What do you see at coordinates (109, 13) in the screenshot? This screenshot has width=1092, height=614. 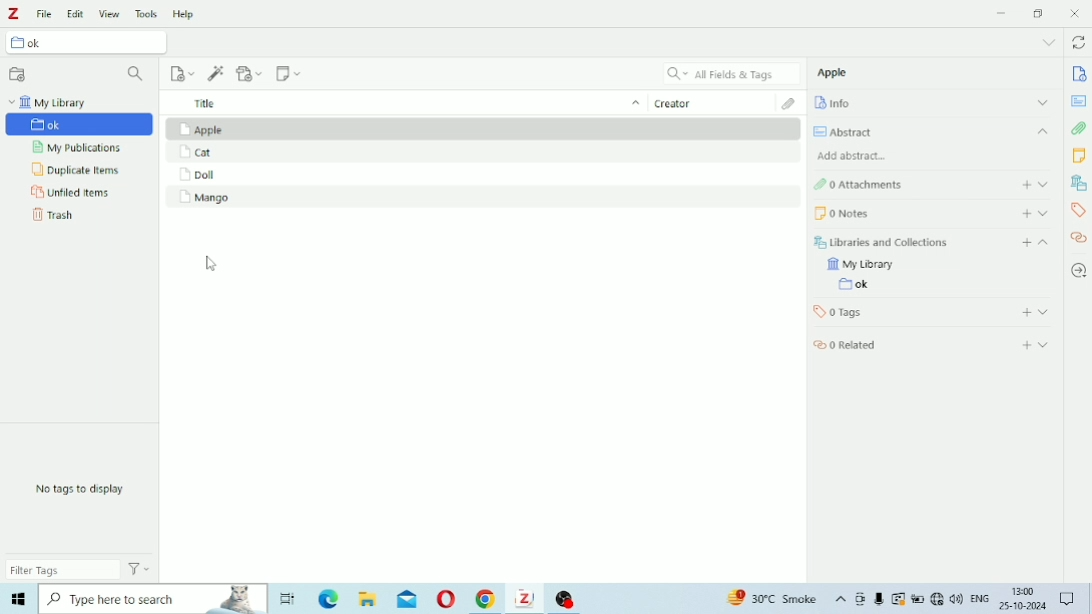 I see `View` at bounding box center [109, 13].